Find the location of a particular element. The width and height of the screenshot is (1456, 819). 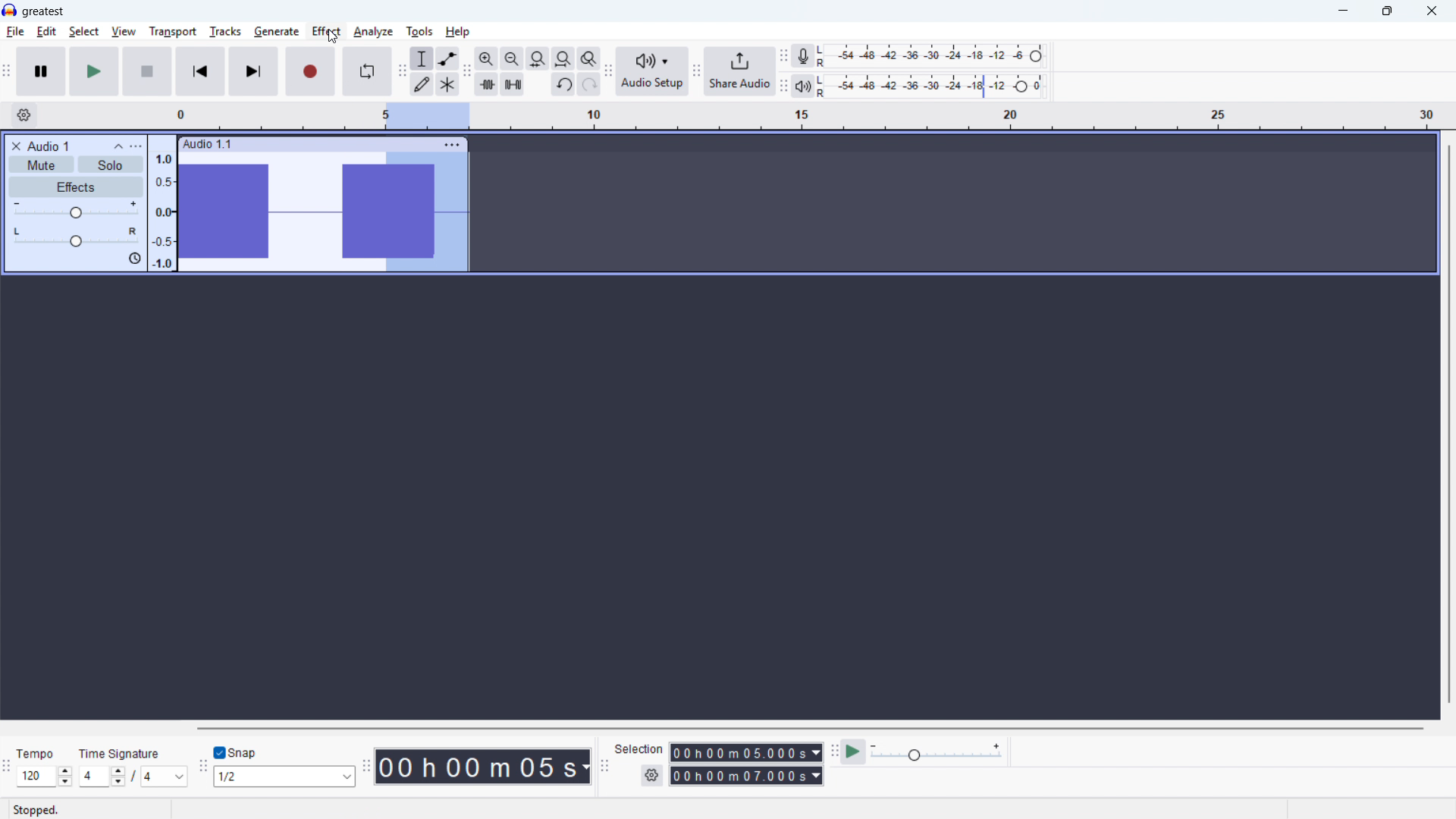

Record  is located at coordinates (310, 71).